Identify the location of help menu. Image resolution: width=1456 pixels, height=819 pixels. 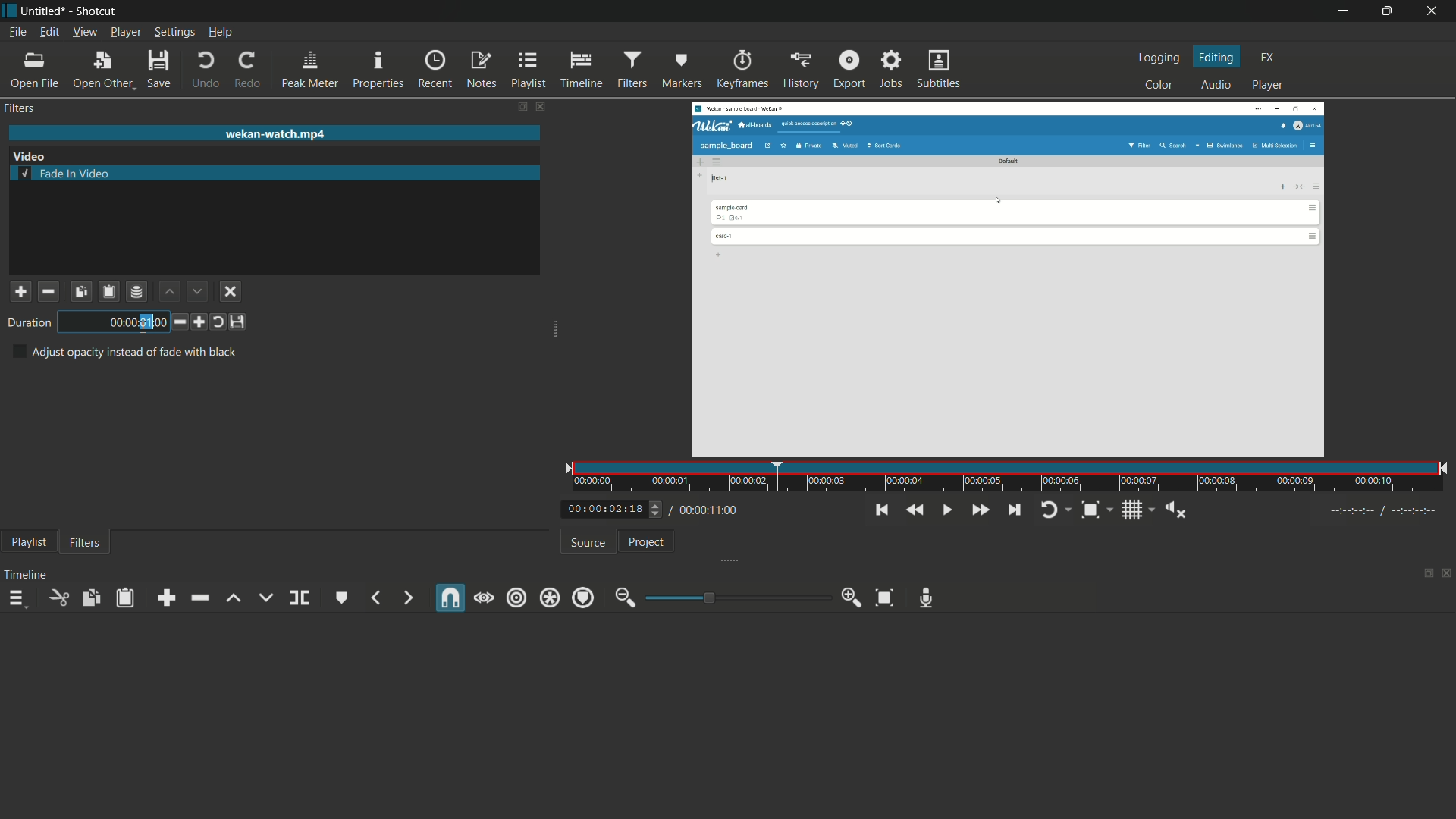
(222, 32).